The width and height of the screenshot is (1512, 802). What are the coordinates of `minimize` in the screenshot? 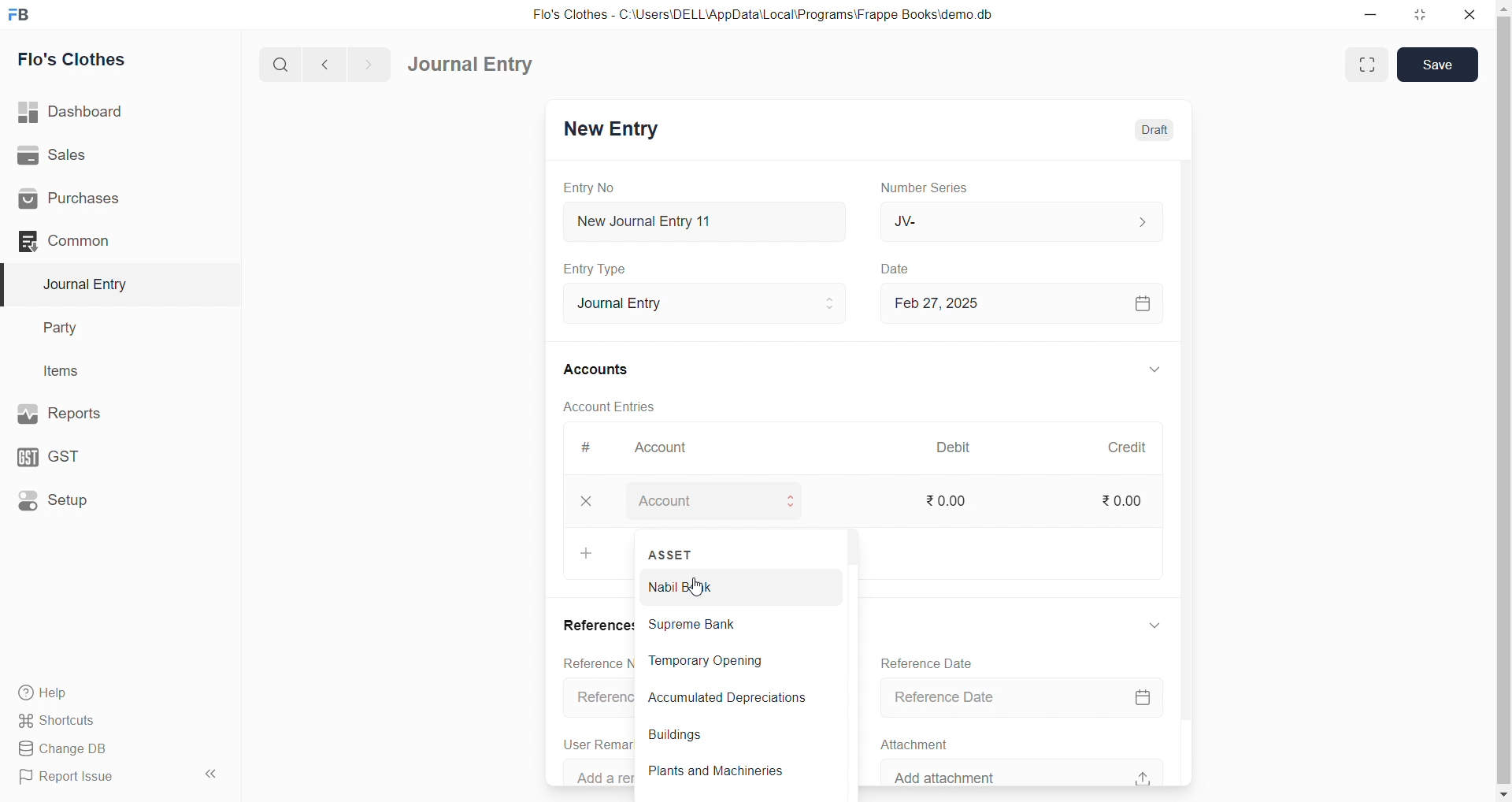 It's located at (1366, 15).